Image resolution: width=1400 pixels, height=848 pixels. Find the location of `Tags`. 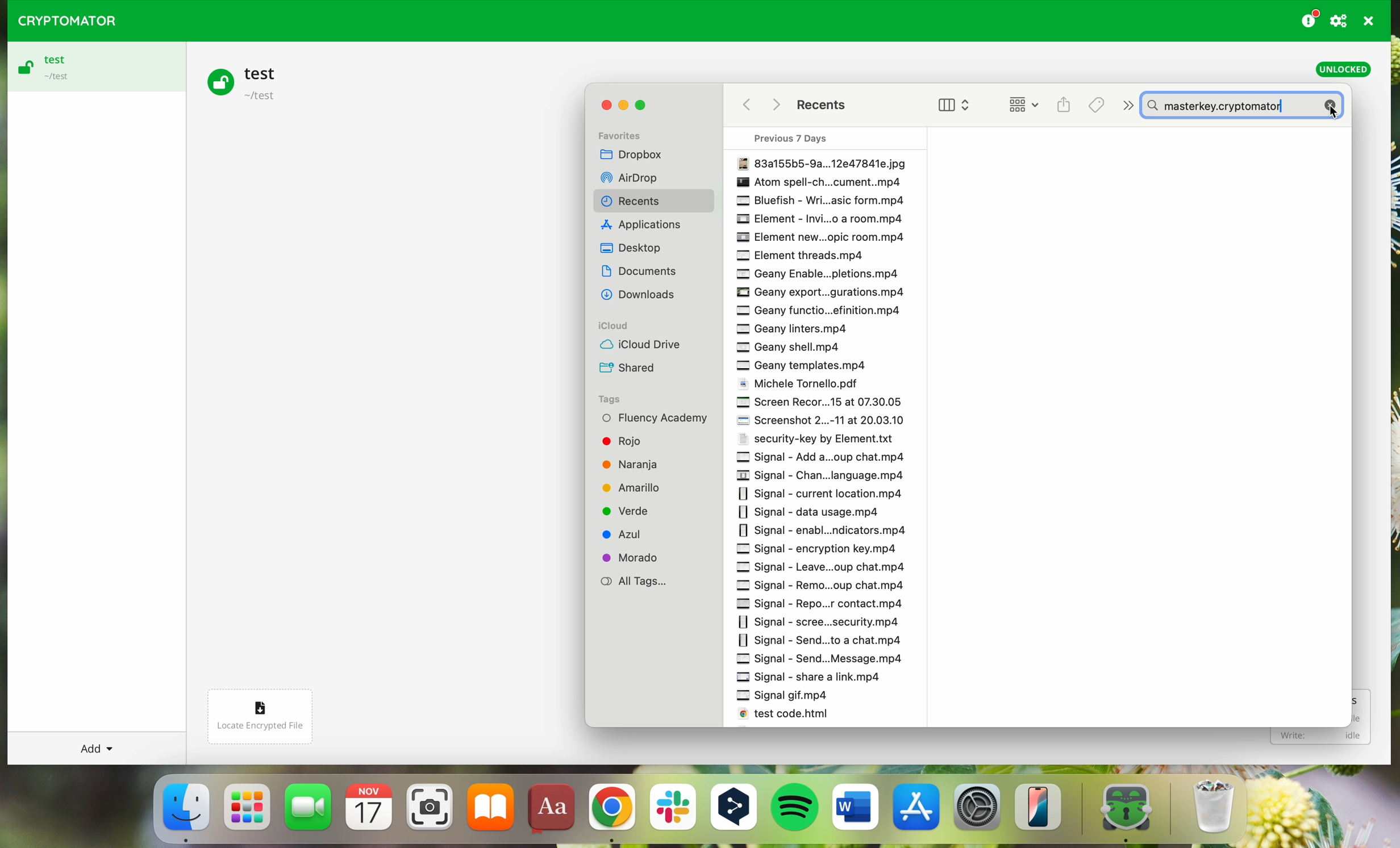

Tags is located at coordinates (612, 398).